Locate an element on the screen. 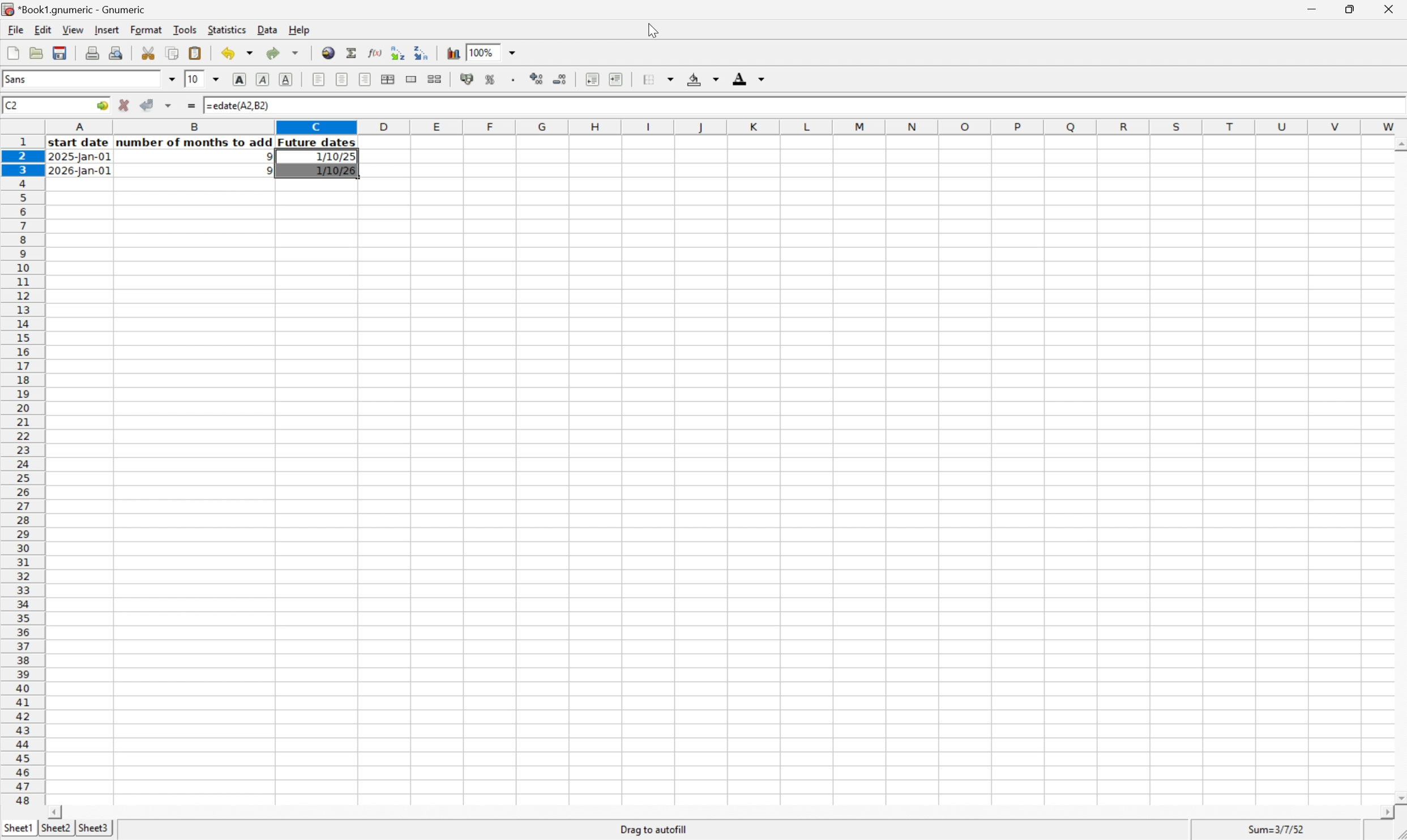 Image resolution: width=1407 pixels, height=840 pixels. Borders is located at coordinates (656, 79).